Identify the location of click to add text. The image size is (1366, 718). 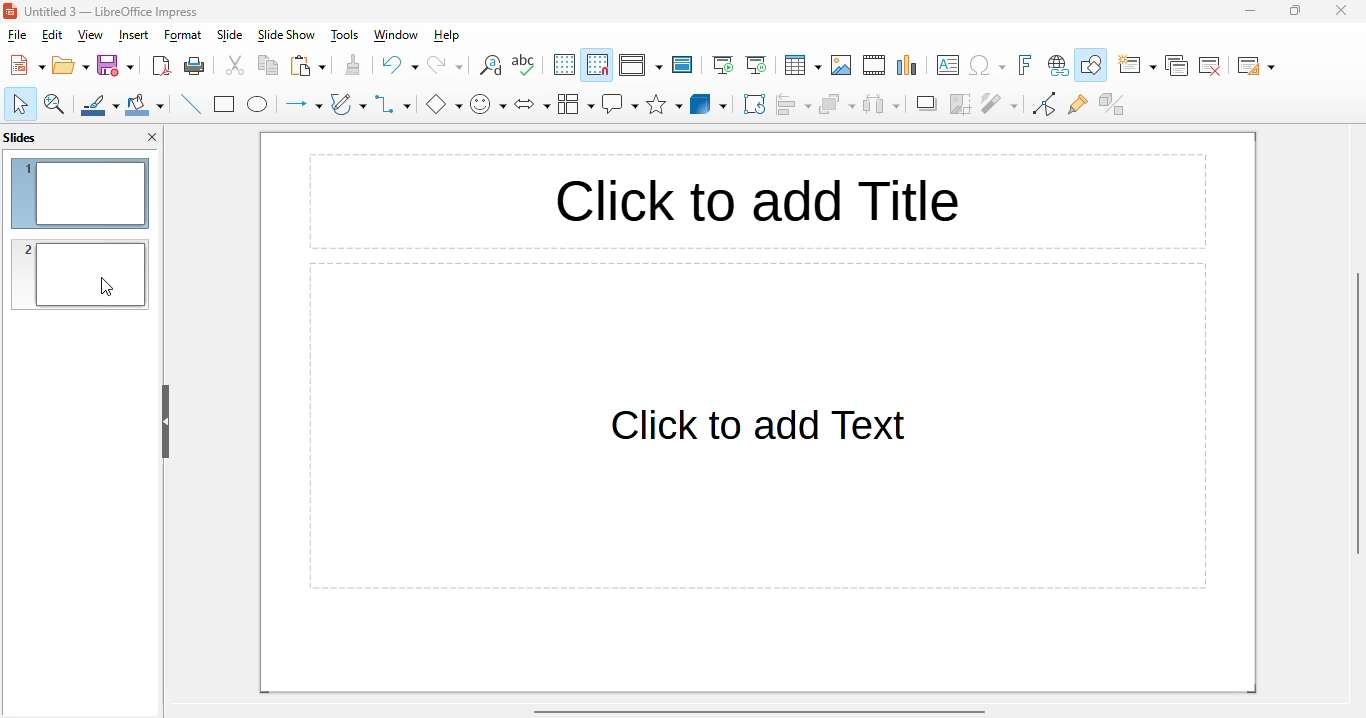
(756, 426).